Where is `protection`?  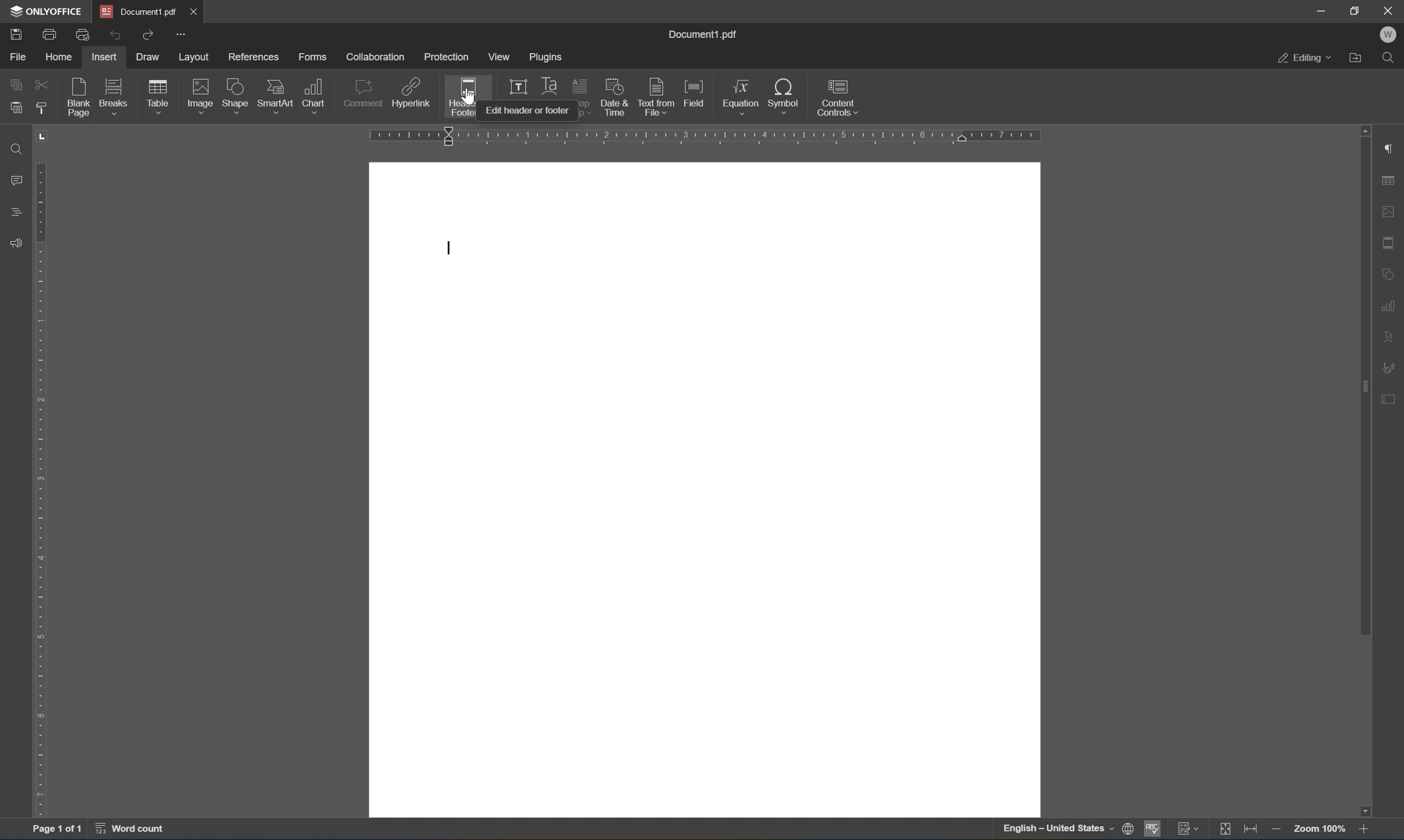
protection is located at coordinates (447, 58).